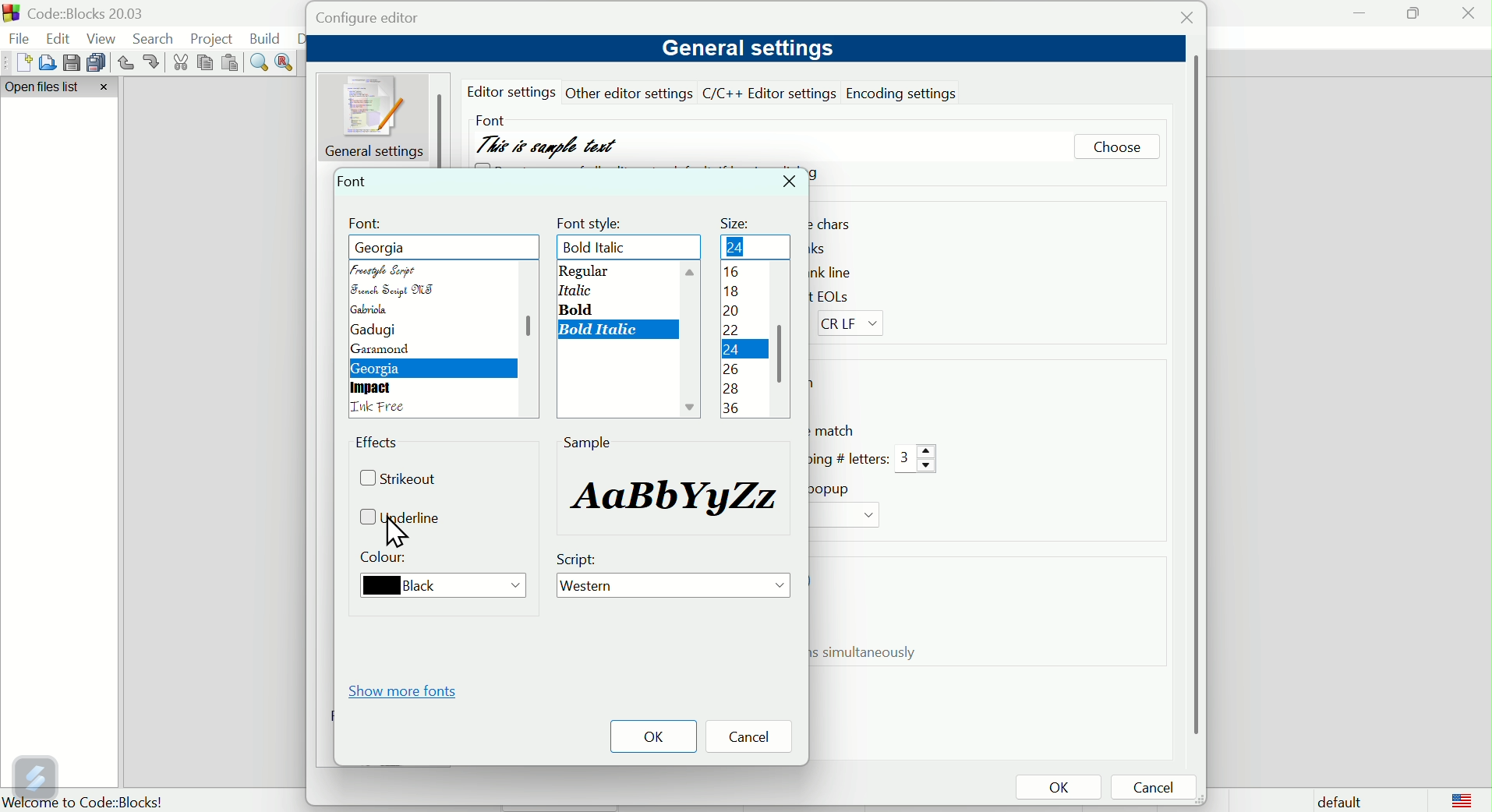 Image resolution: width=1492 pixels, height=812 pixels. I want to click on General setting, so click(377, 116).